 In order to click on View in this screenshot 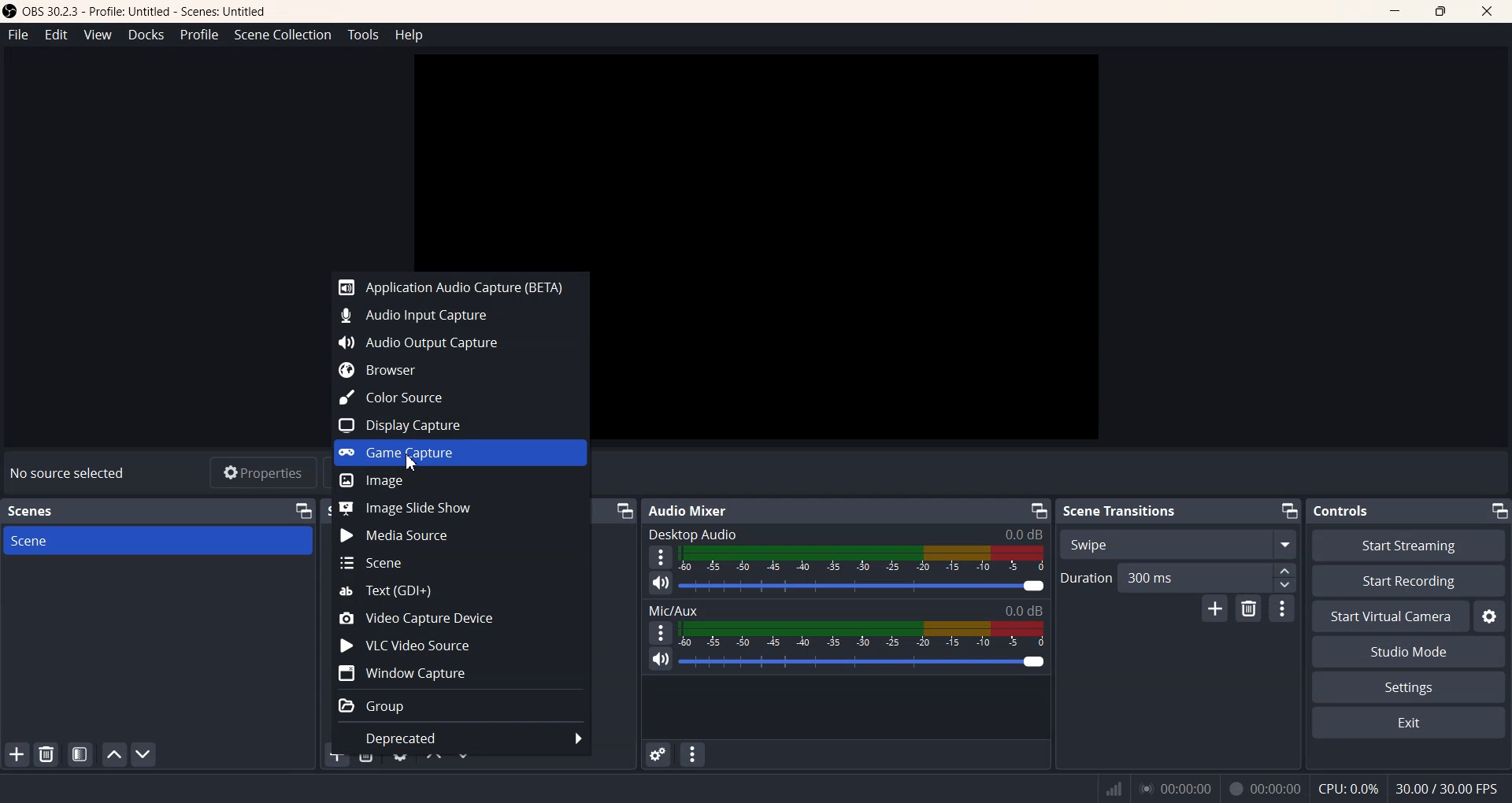, I will do `click(98, 35)`.